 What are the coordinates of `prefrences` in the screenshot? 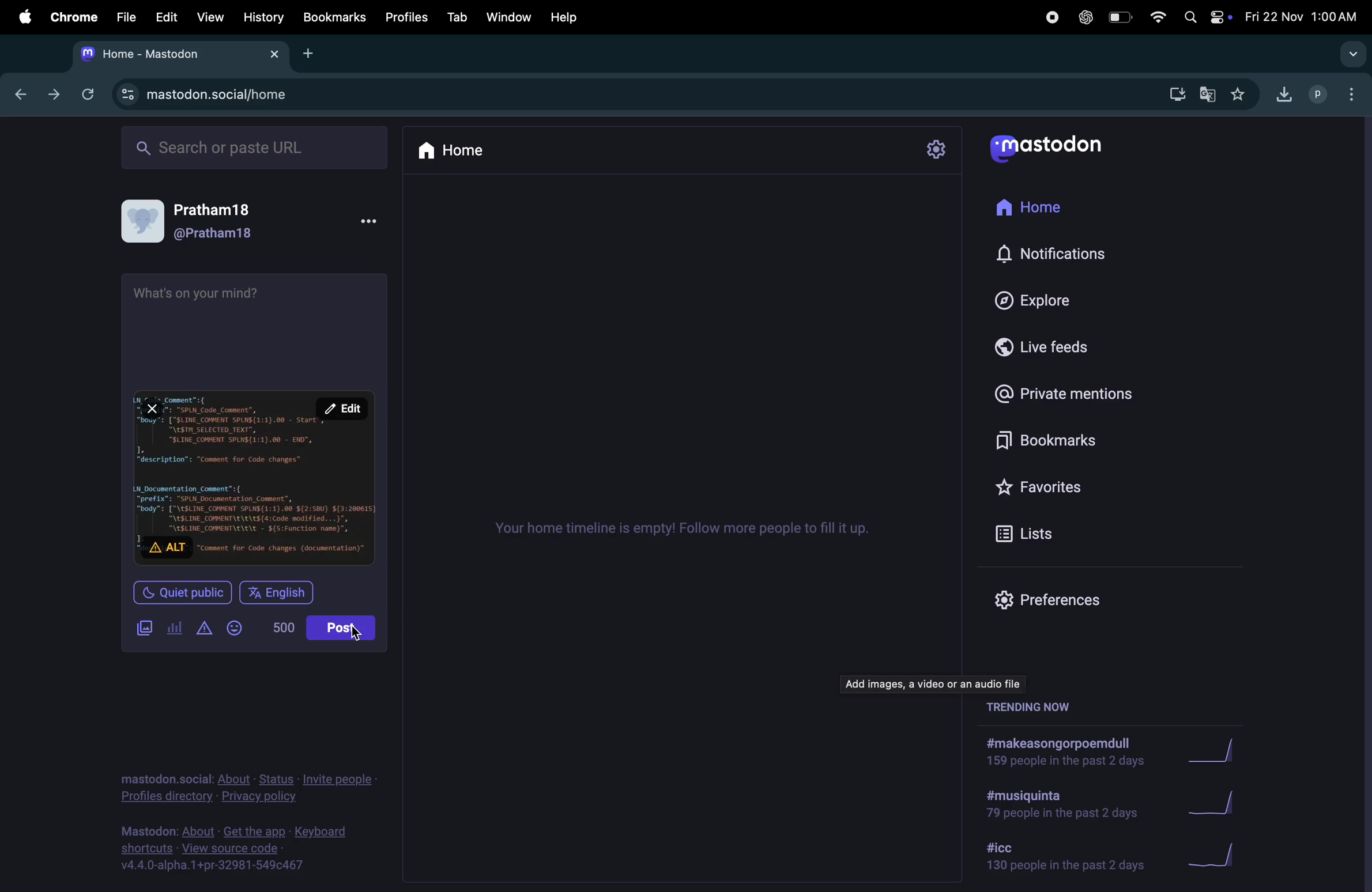 It's located at (1063, 596).